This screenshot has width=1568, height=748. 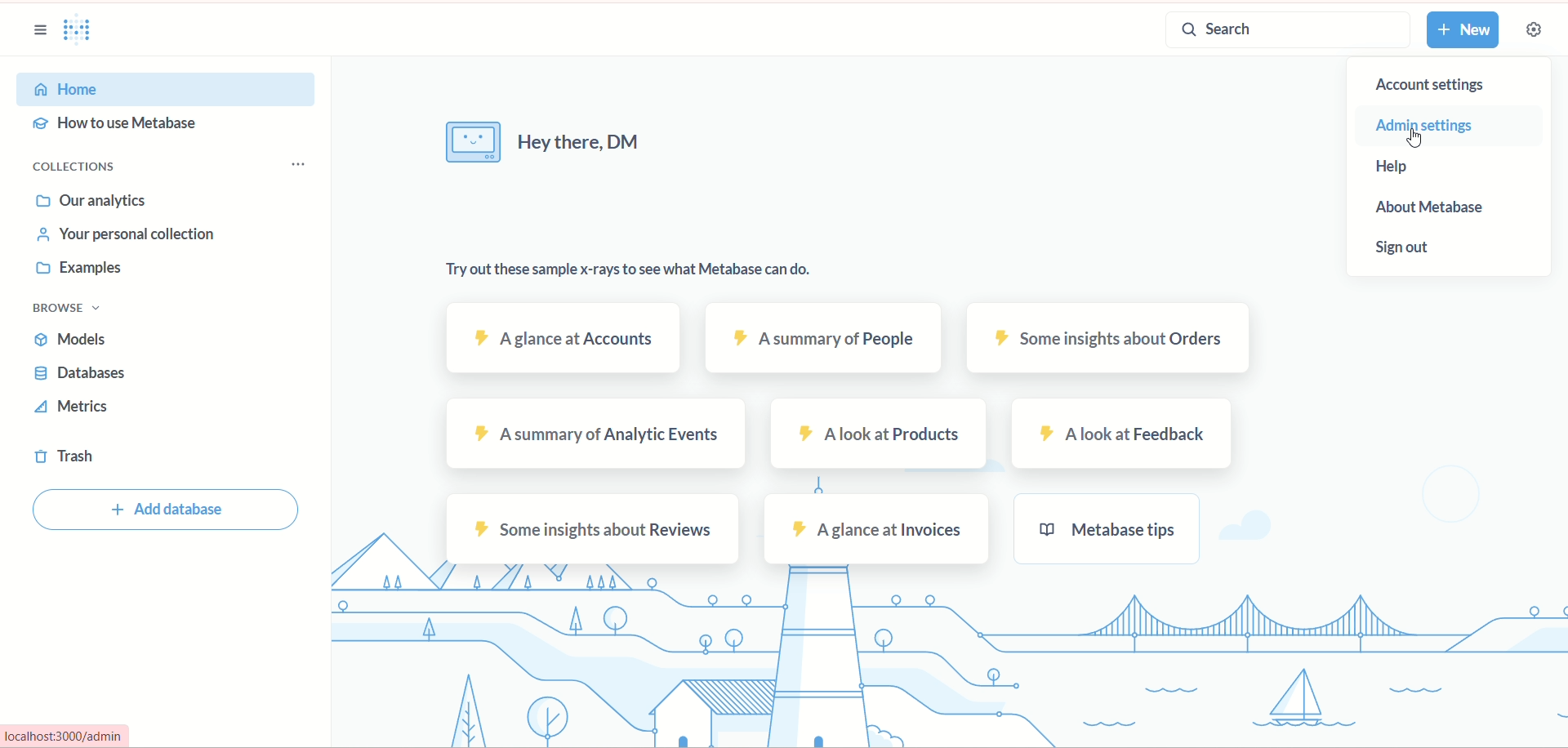 I want to click on text, so click(x=584, y=142).